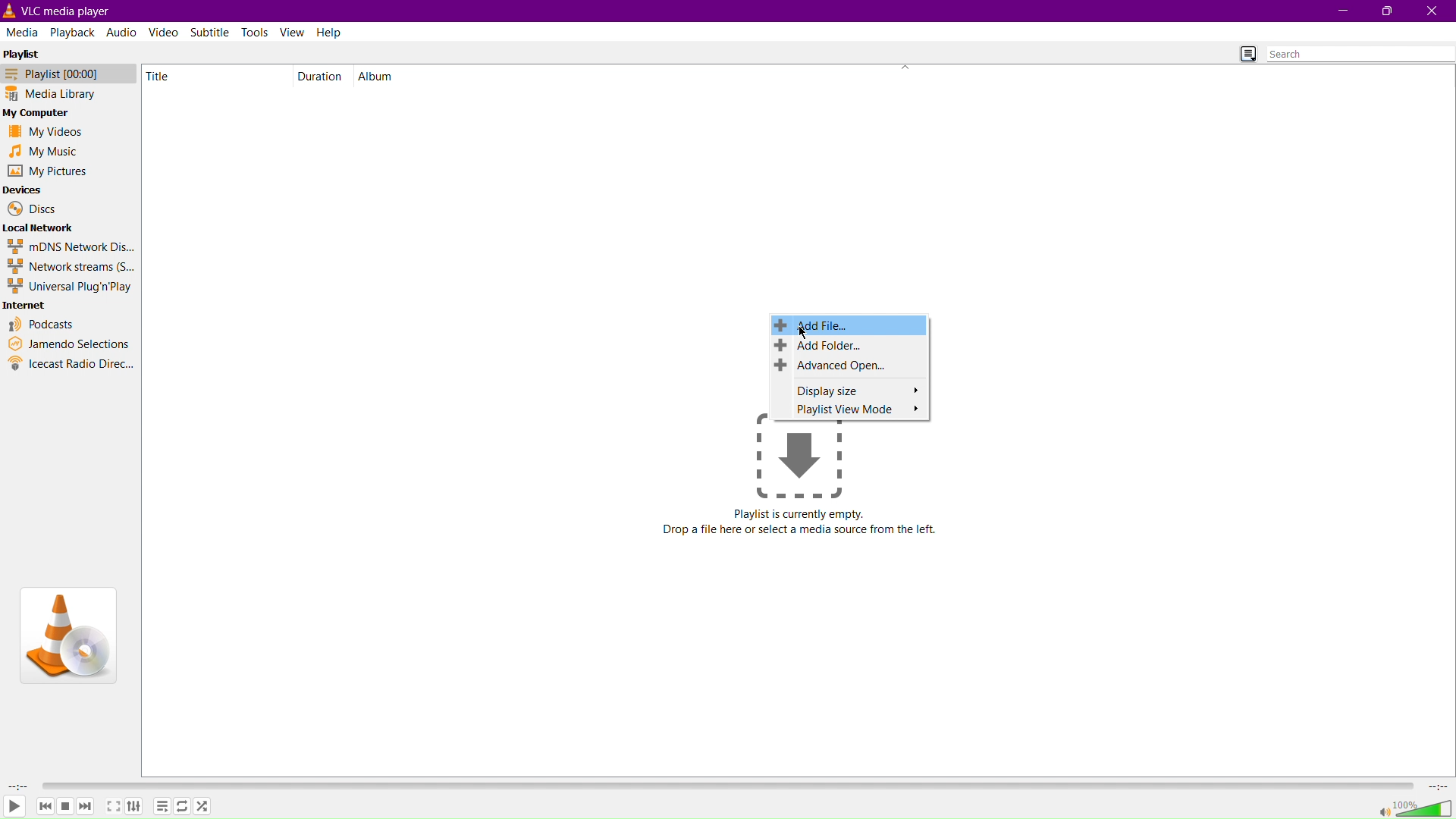 Image resolution: width=1456 pixels, height=819 pixels. What do you see at coordinates (293, 32) in the screenshot?
I see `View` at bounding box center [293, 32].